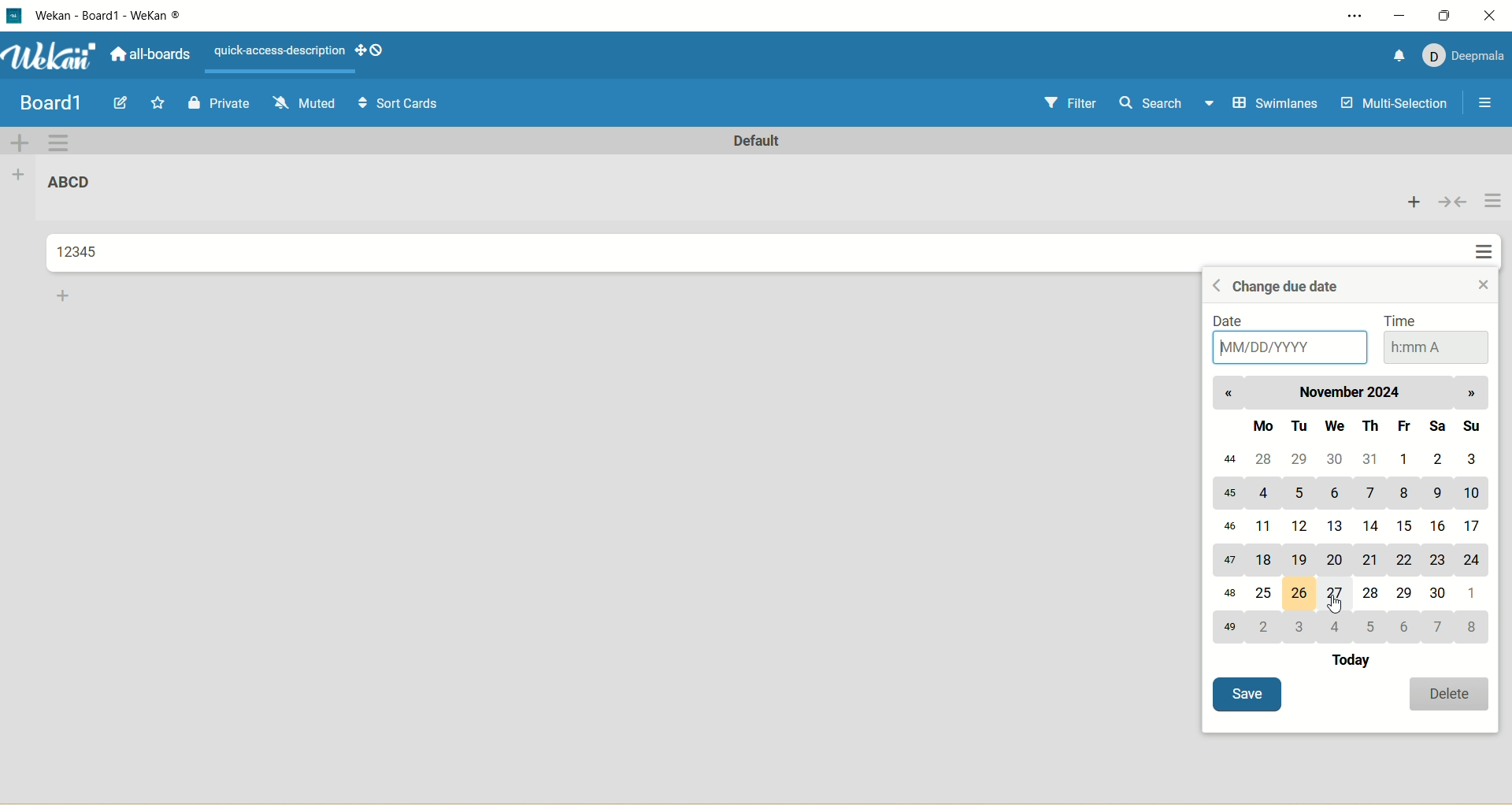  I want to click on search, so click(1168, 105).